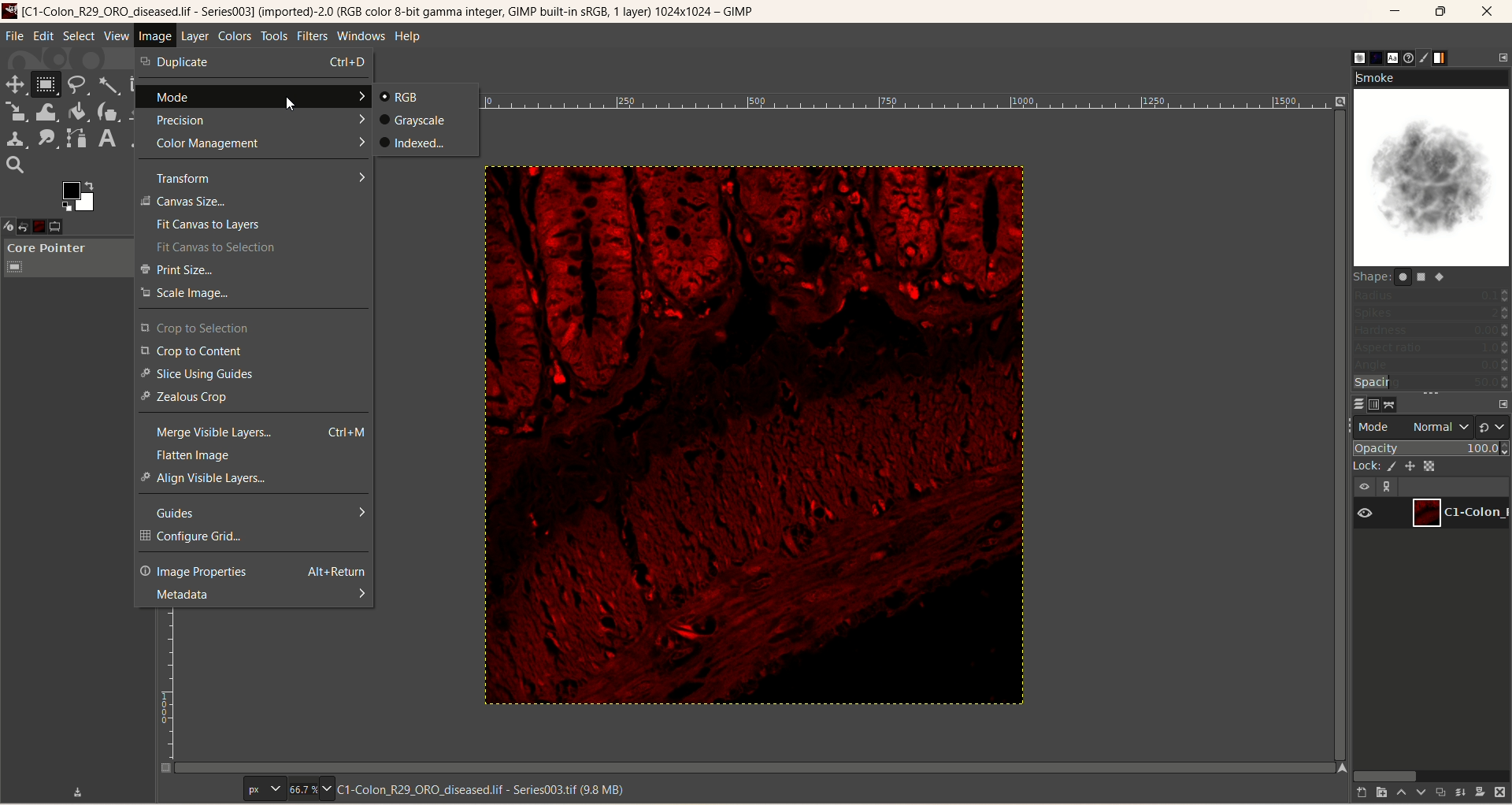 Image resolution: width=1512 pixels, height=805 pixels. Describe the element at coordinates (14, 35) in the screenshot. I see `file` at that location.